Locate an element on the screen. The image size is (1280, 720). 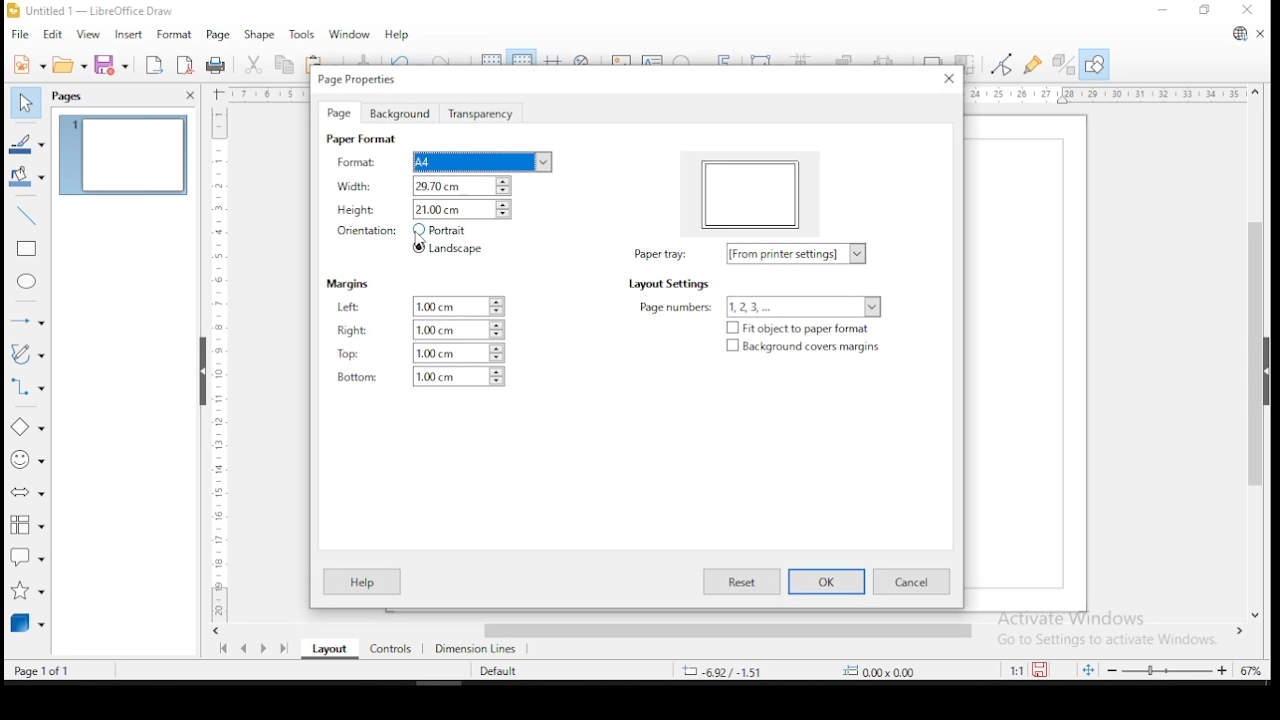
insert textbox is located at coordinates (653, 59).